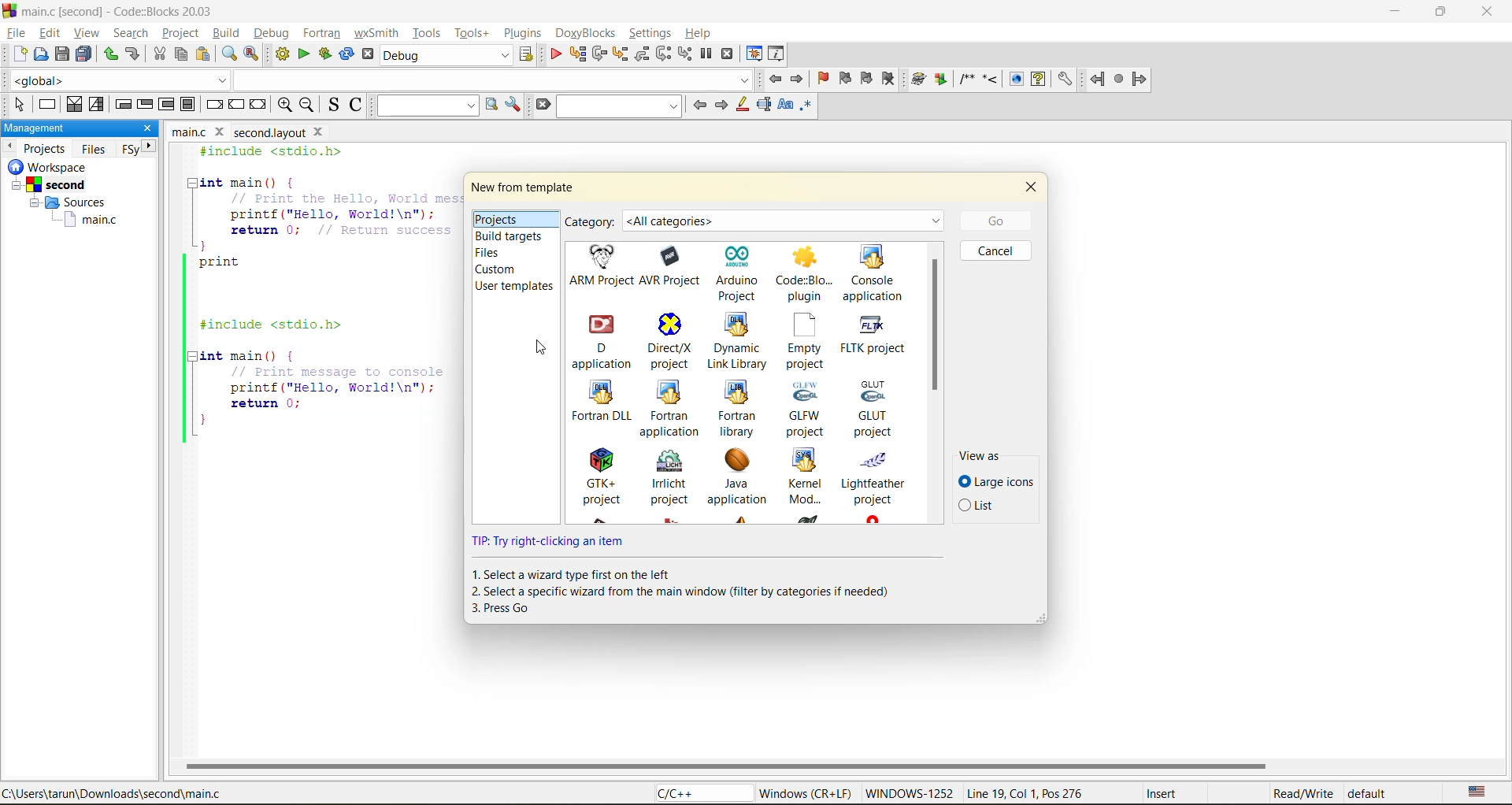 The image size is (1512, 805). What do you see at coordinates (605, 476) in the screenshot?
I see `gtk+ project` at bounding box center [605, 476].